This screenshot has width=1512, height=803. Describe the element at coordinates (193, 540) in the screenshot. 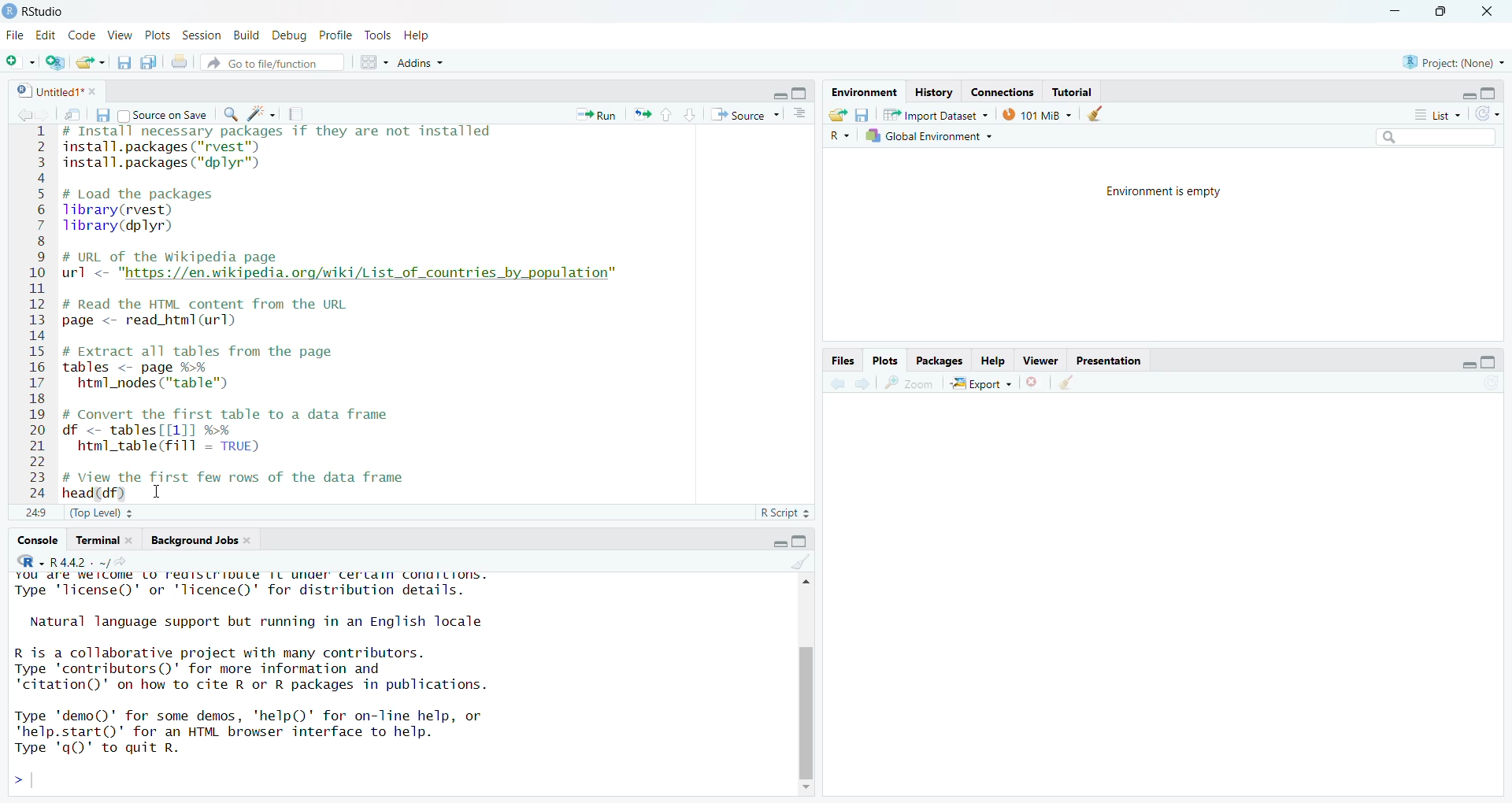

I see `Background Jobs` at that location.